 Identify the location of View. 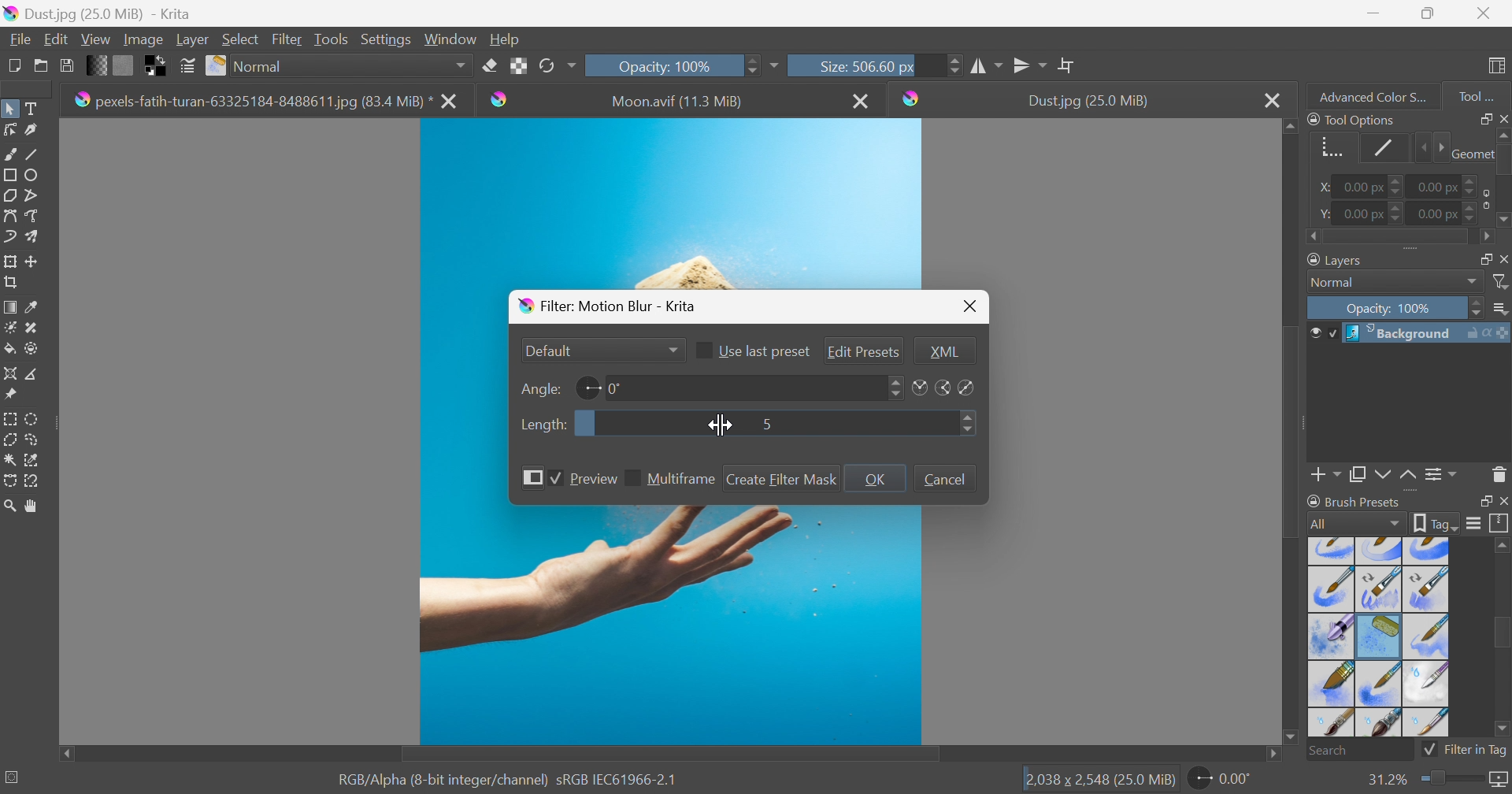
(95, 37).